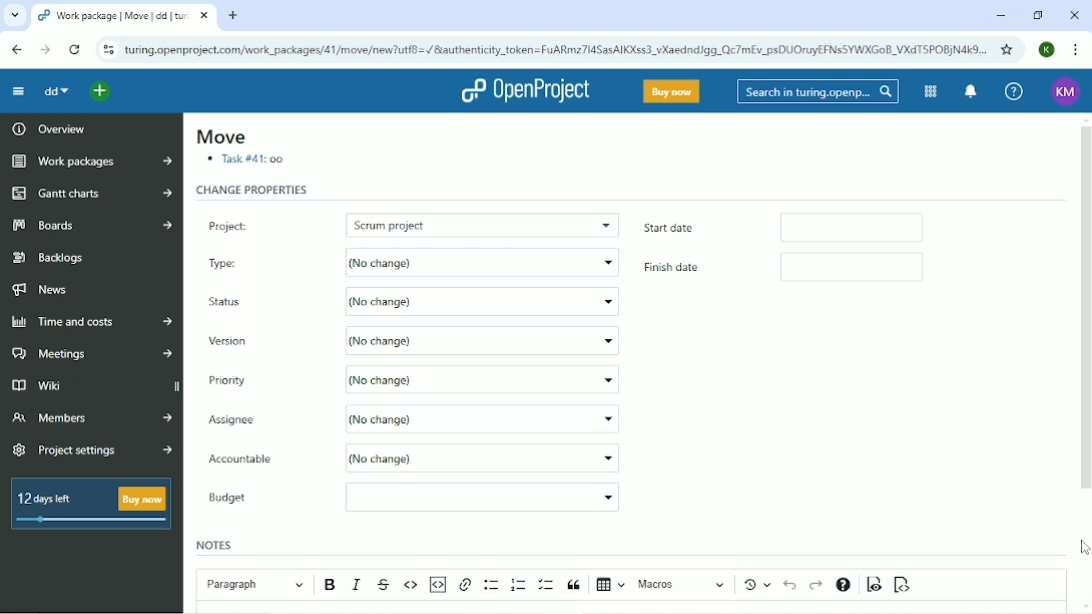 The image size is (1092, 614). Describe the element at coordinates (465, 585) in the screenshot. I see `Link` at that location.